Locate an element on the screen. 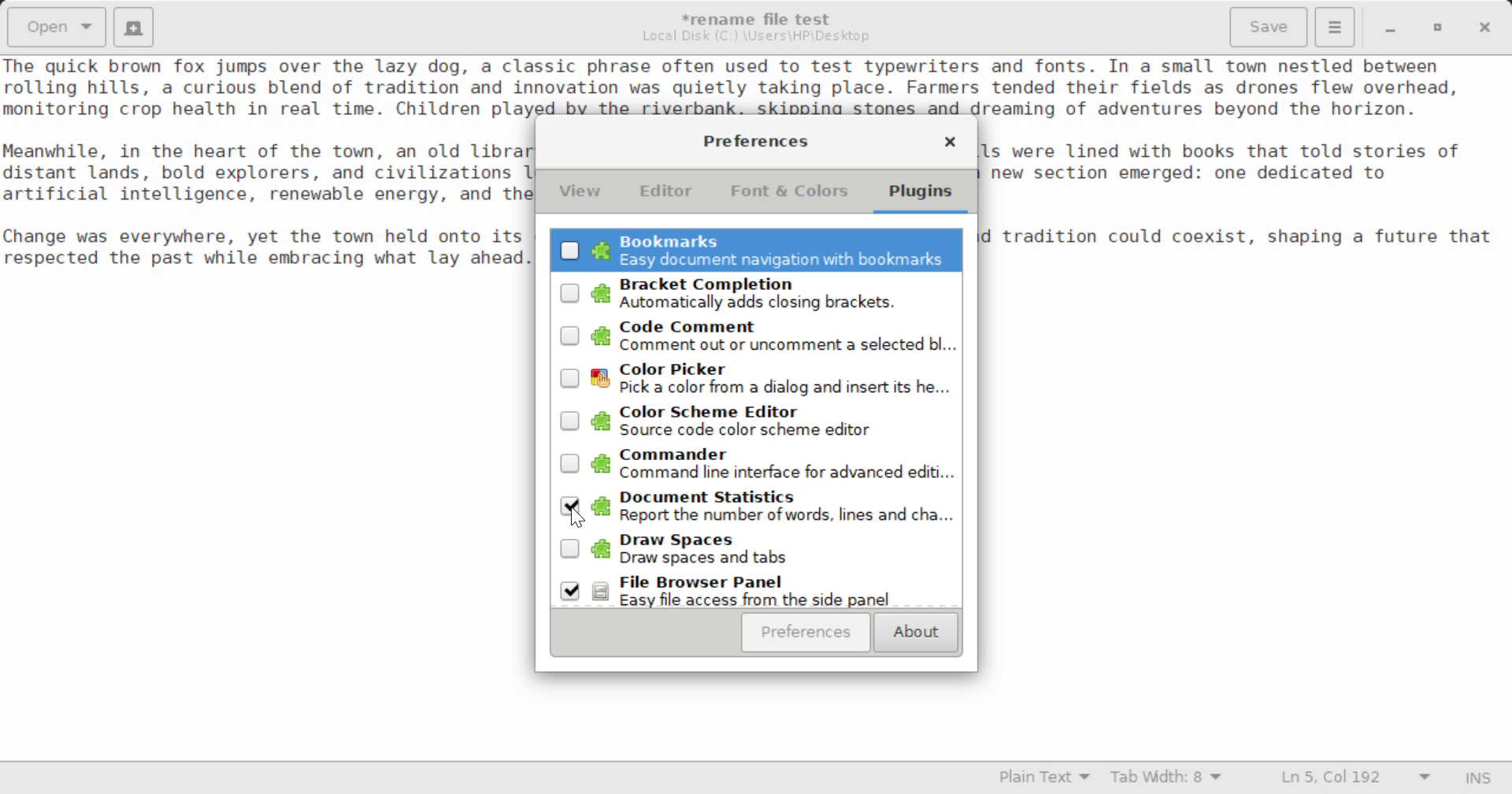 The height and width of the screenshot is (794, 1512). View Tab is located at coordinates (580, 195).